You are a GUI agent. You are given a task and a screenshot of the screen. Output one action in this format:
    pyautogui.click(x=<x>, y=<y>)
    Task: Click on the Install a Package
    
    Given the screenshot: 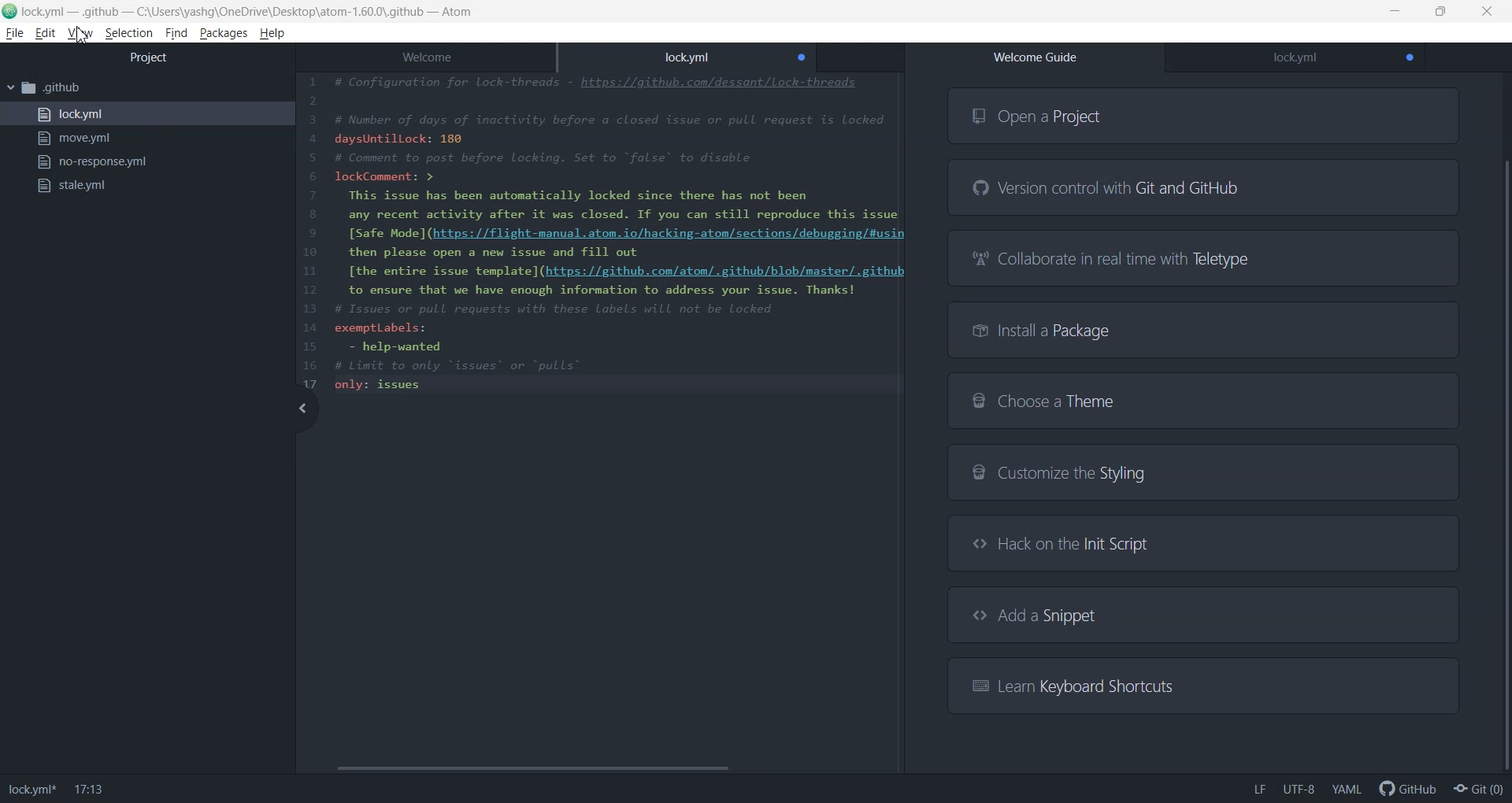 What is the action you would take?
    pyautogui.click(x=1205, y=329)
    